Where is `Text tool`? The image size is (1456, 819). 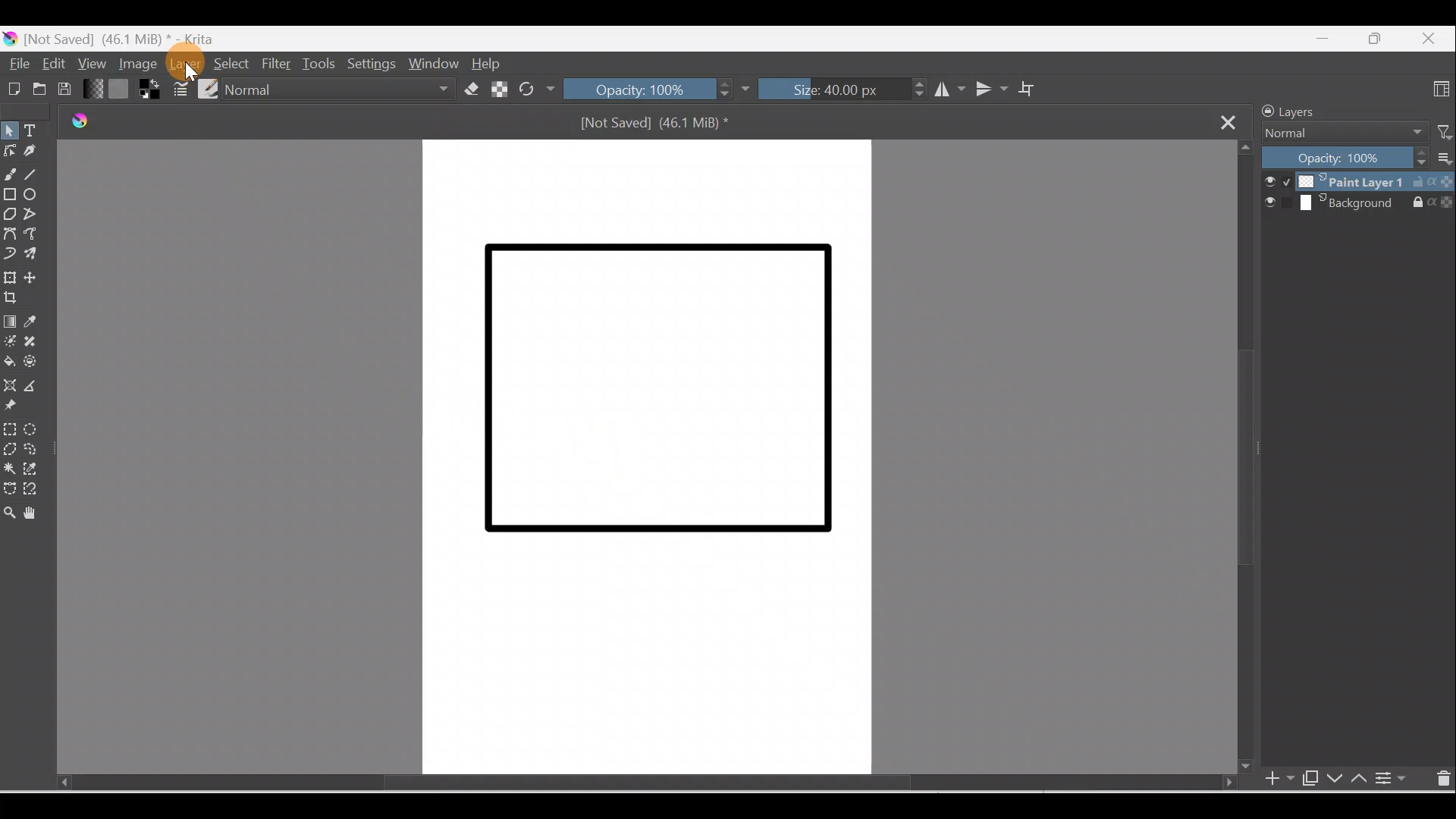
Text tool is located at coordinates (37, 132).